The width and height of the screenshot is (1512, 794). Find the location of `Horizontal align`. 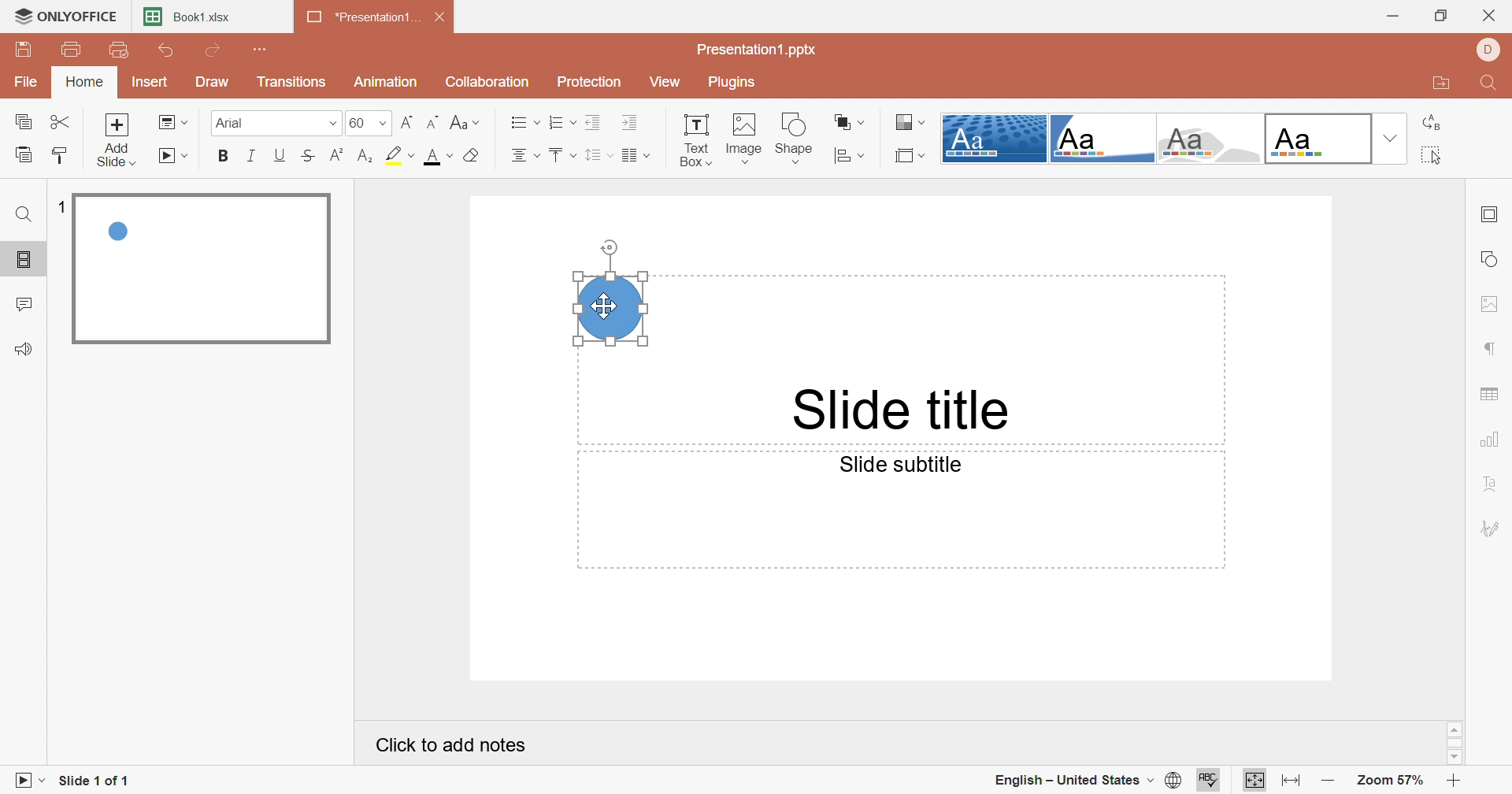

Horizontal align is located at coordinates (524, 121).